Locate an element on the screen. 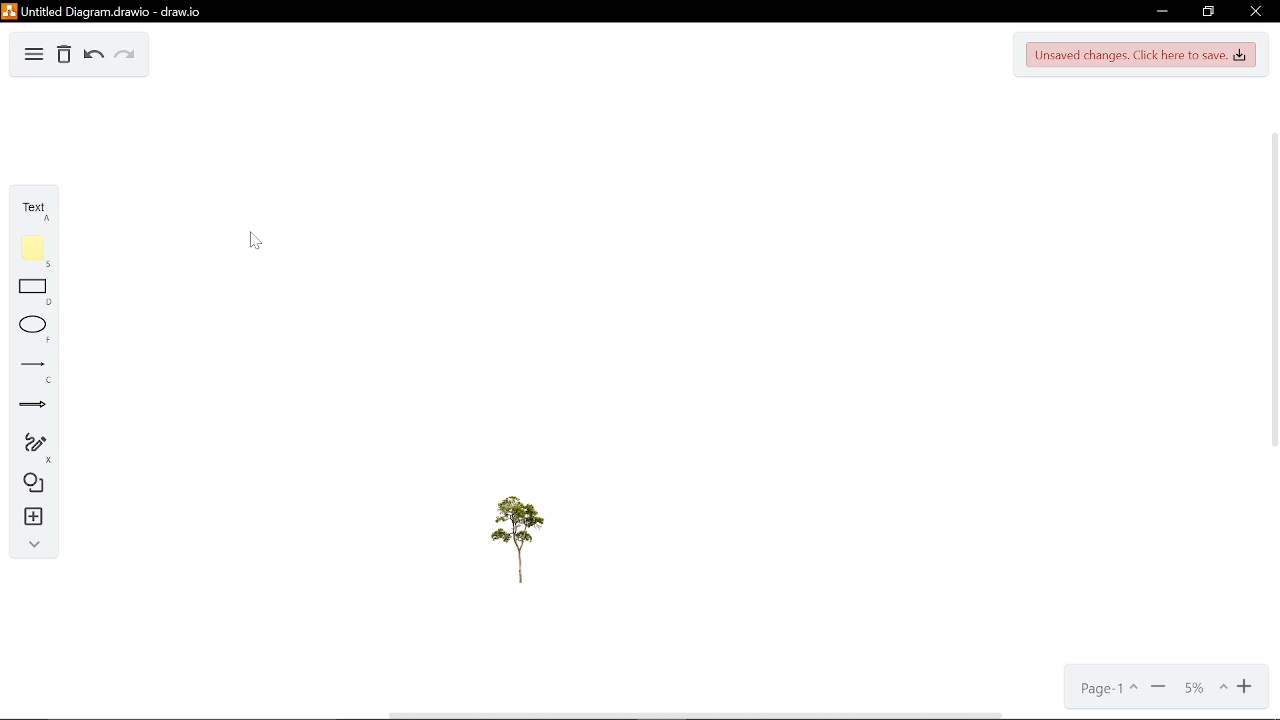 This screenshot has height=720, width=1280. Rectangle is located at coordinates (28, 290).